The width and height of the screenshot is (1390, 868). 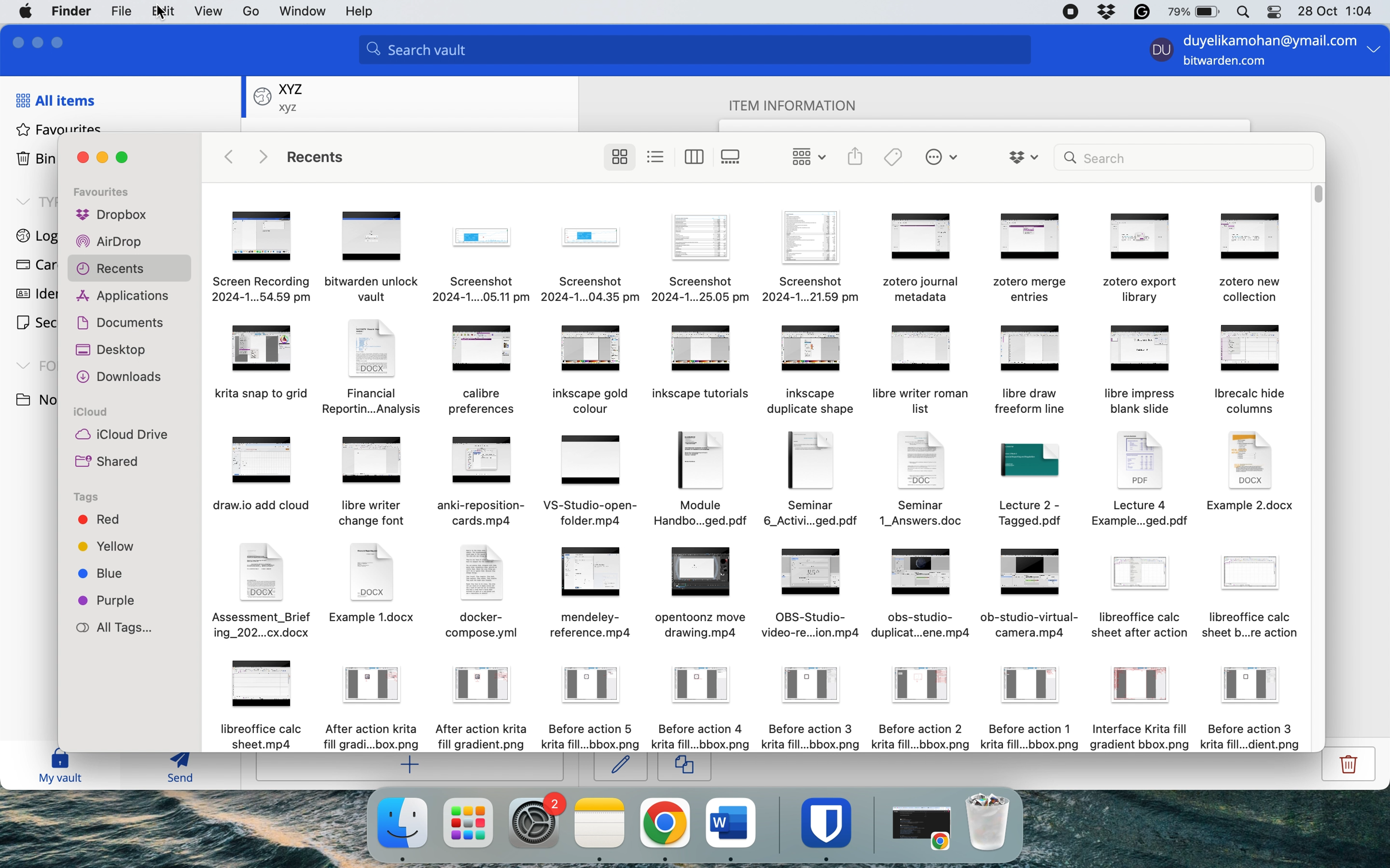 I want to click on perform tasks with selected items, so click(x=941, y=158).